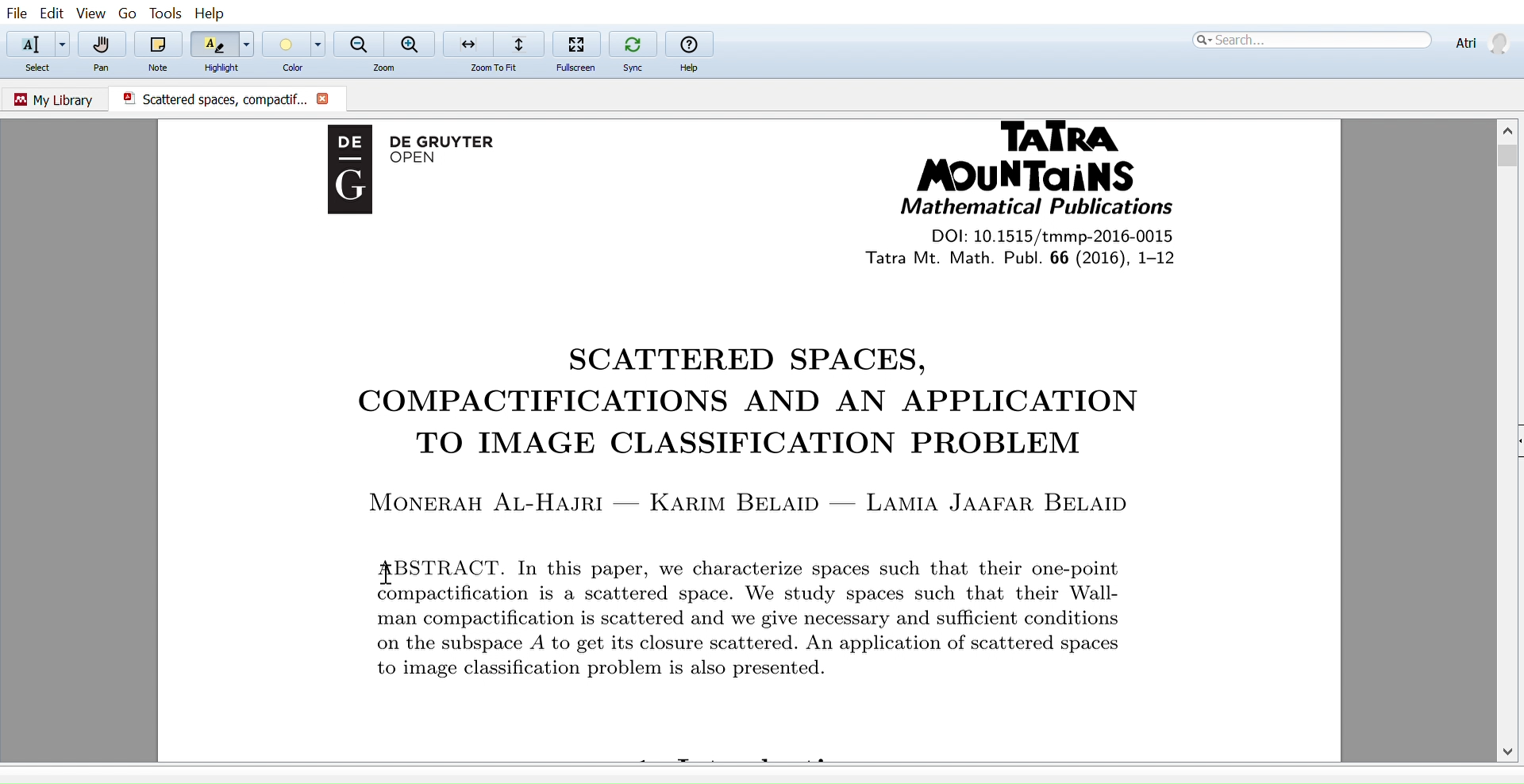 The width and height of the screenshot is (1524, 784). What do you see at coordinates (791, 596) in the screenshot?
I see `compactification is a scattered space. We study spaces such that their Wall-` at bounding box center [791, 596].